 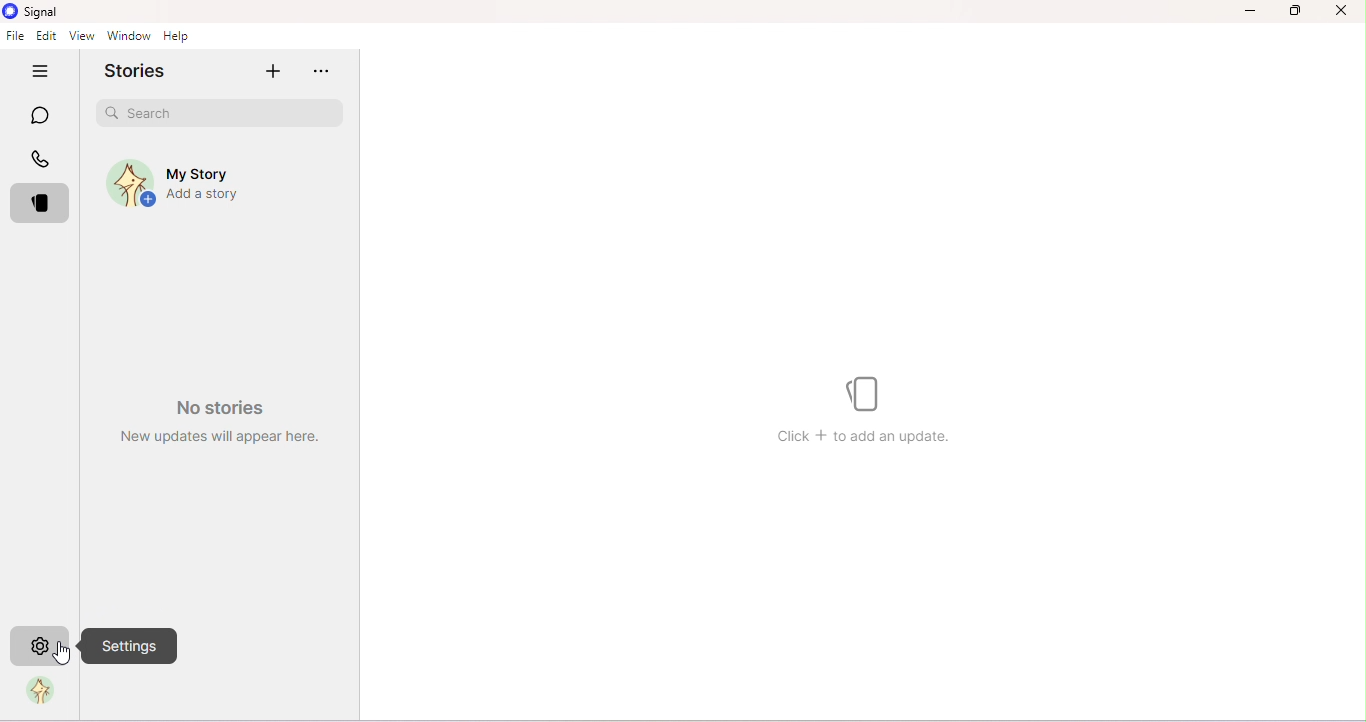 I want to click on File, so click(x=17, y=38).